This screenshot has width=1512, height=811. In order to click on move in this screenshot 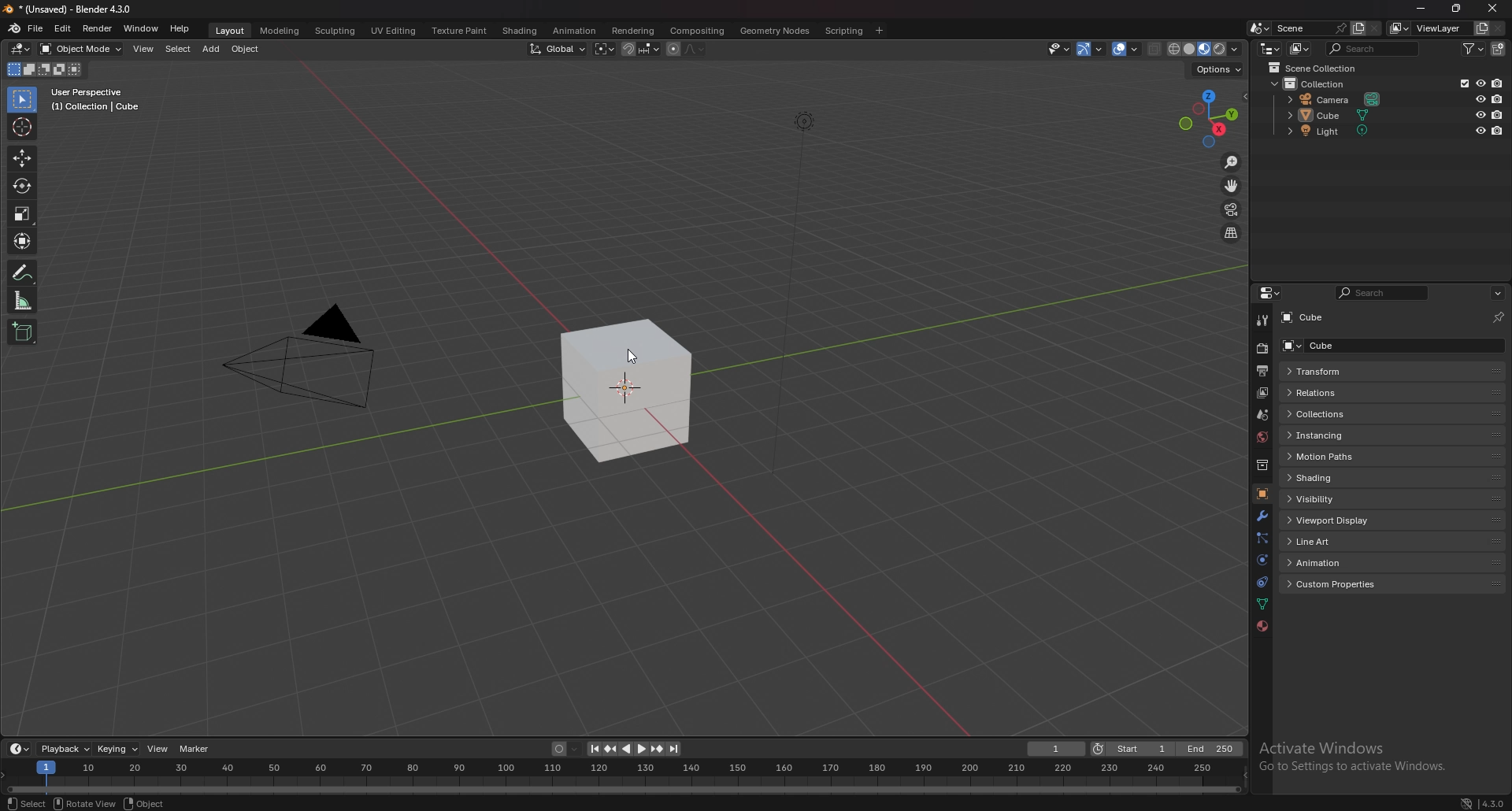, I will do `click(22, 158)`.